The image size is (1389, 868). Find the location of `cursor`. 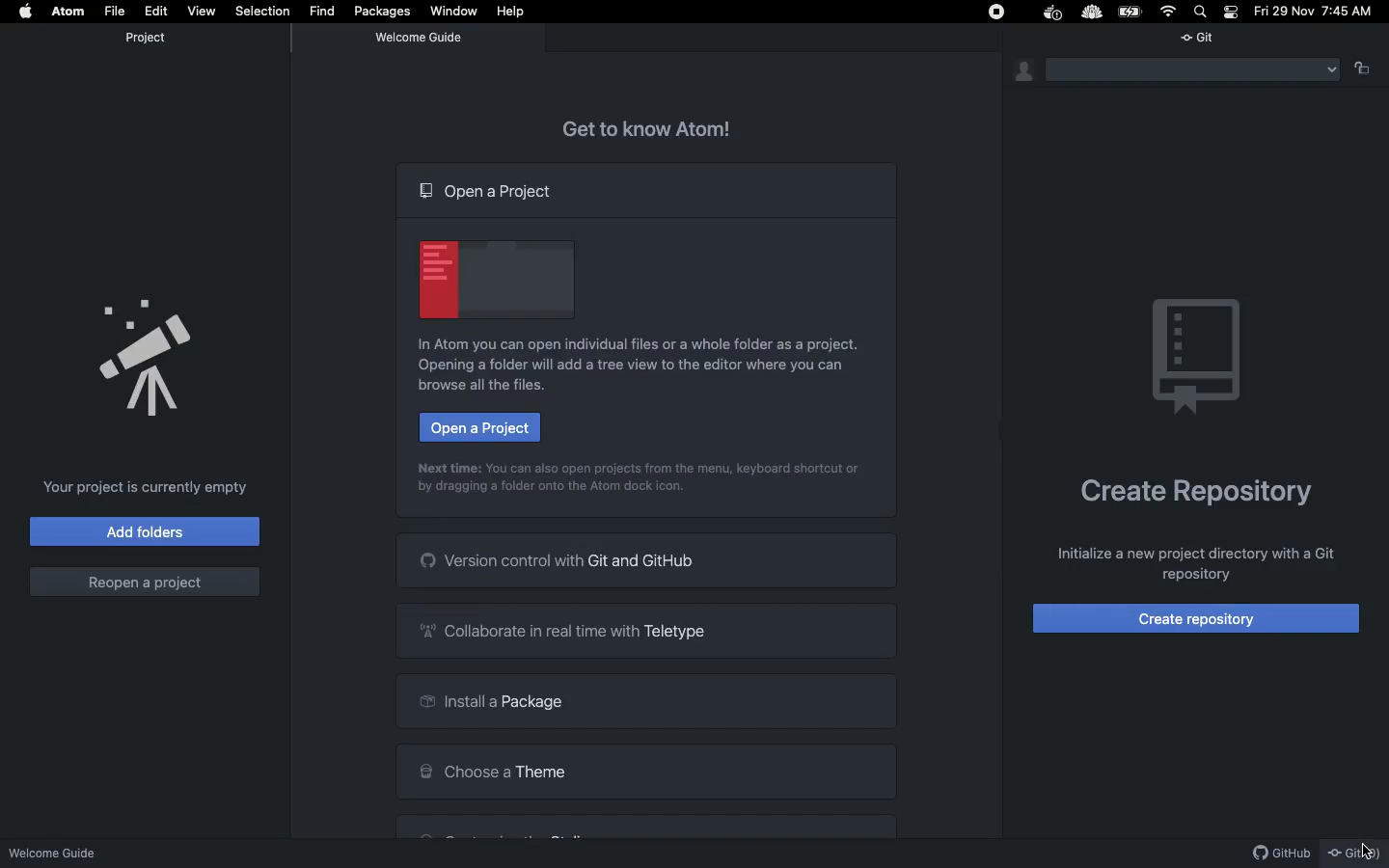

cursor is located at coordinates (1361, 851).